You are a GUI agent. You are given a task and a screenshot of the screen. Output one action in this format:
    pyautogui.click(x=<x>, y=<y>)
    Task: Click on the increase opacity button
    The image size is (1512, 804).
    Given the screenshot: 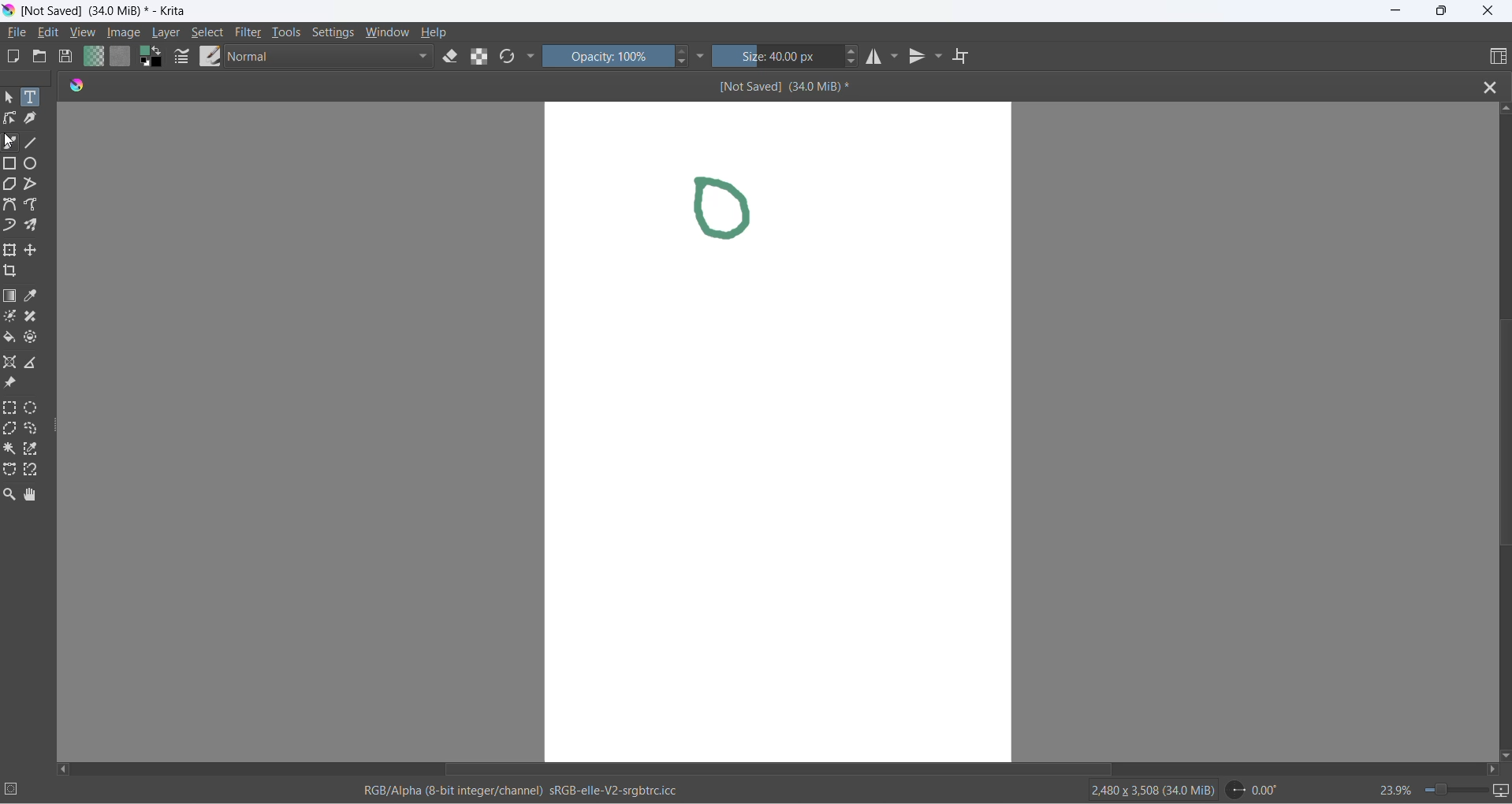 What is the action you would take?
    pyautogui.click(x=683, y=50)
    